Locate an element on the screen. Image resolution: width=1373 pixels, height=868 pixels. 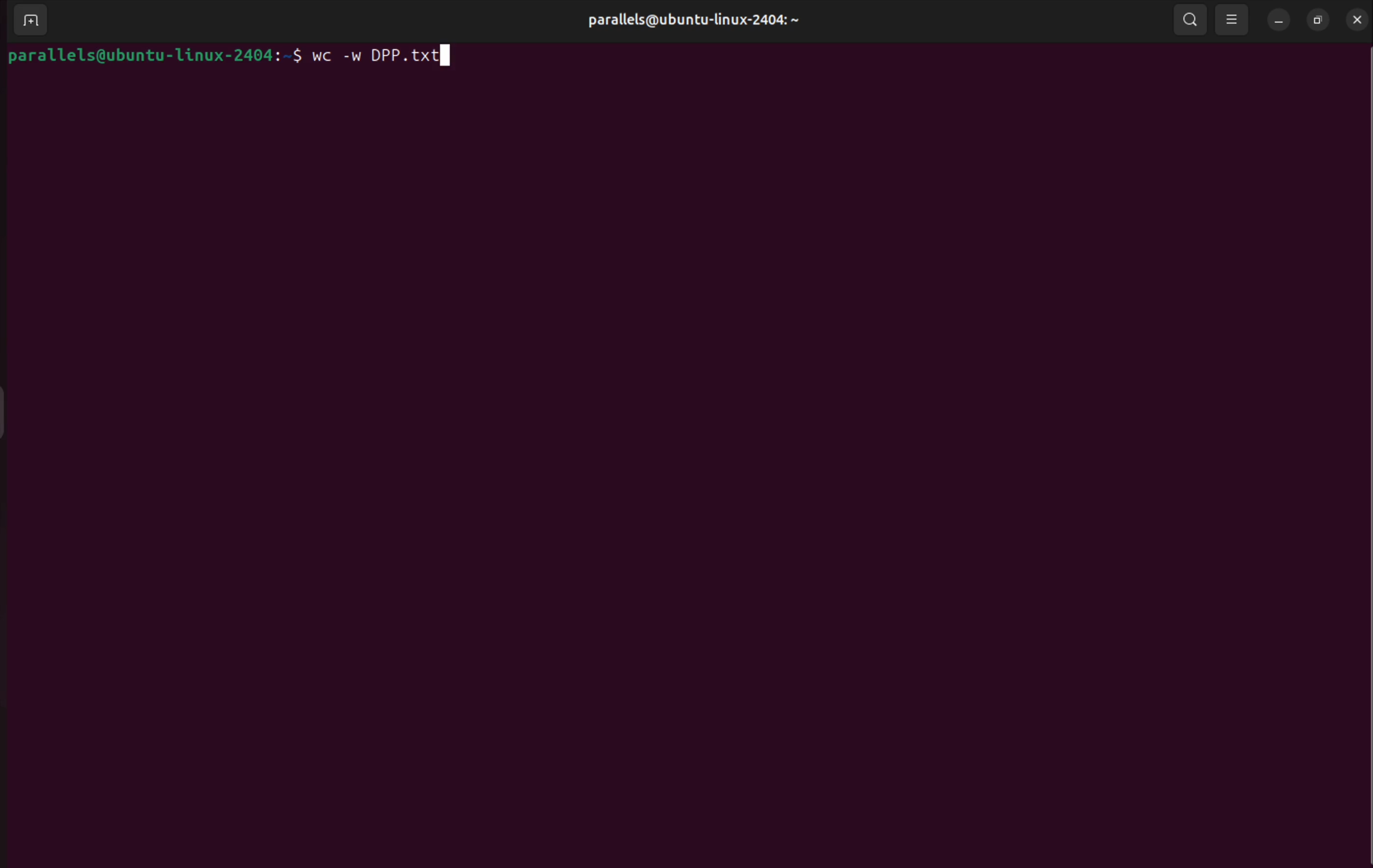
add terminal is located at coordinates (28, 21).